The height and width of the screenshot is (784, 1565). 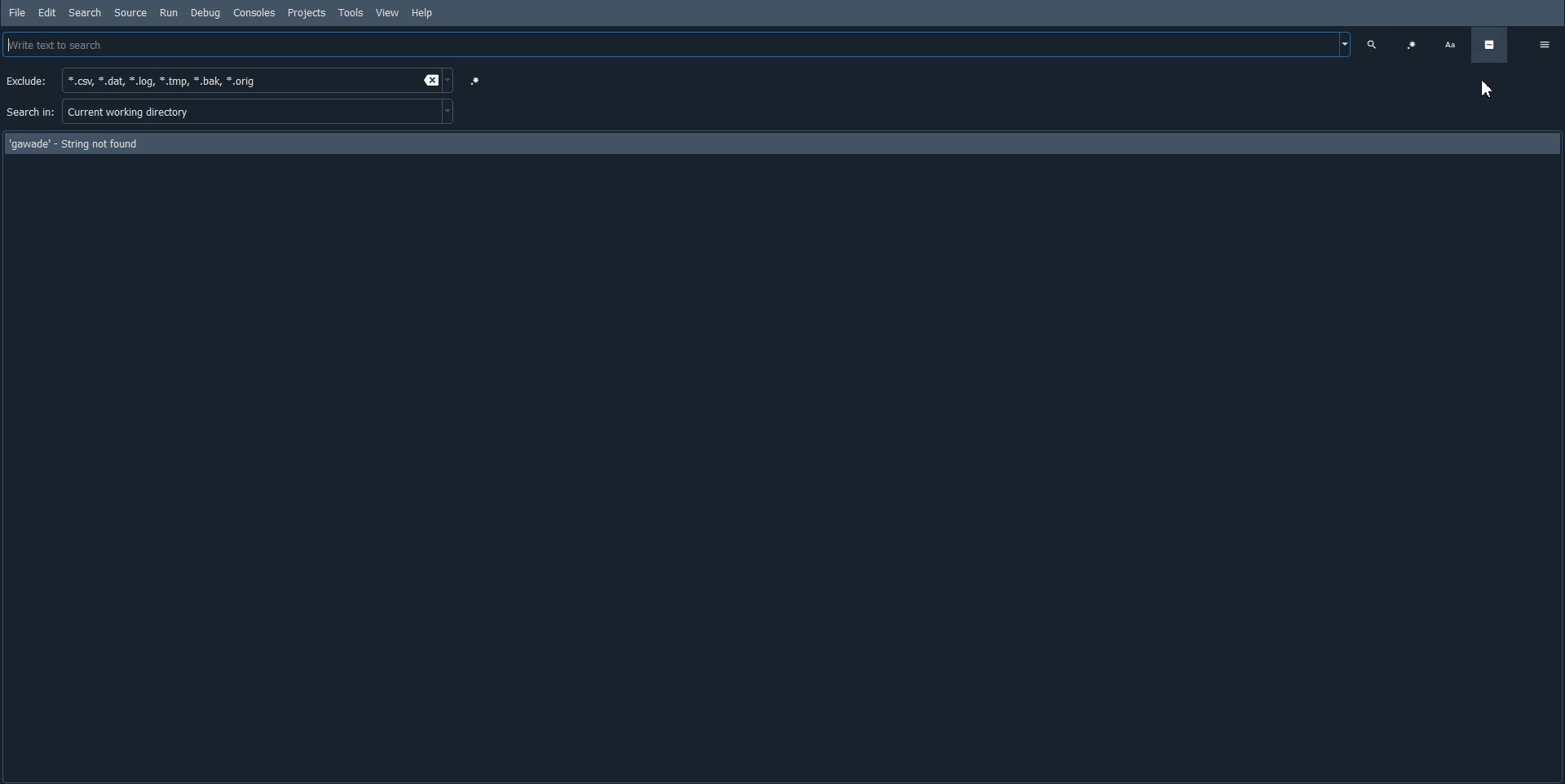 I want to click on Use regular expression, so click(x=477, y=81).